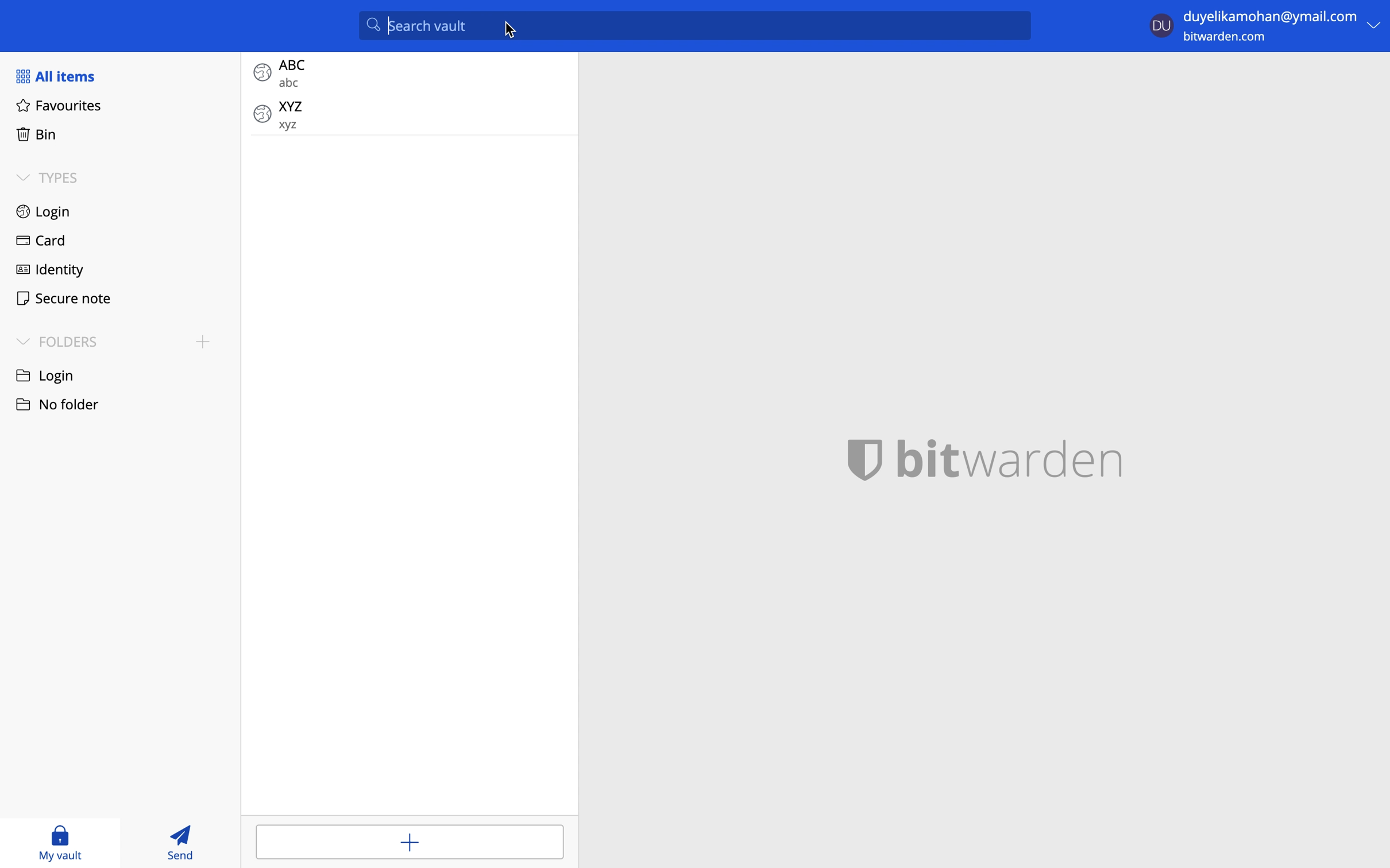 This screenshot has height=868, width=1390. Describe the element at coordinates (63, 77) in the screenshot. I see `all items` at that location.